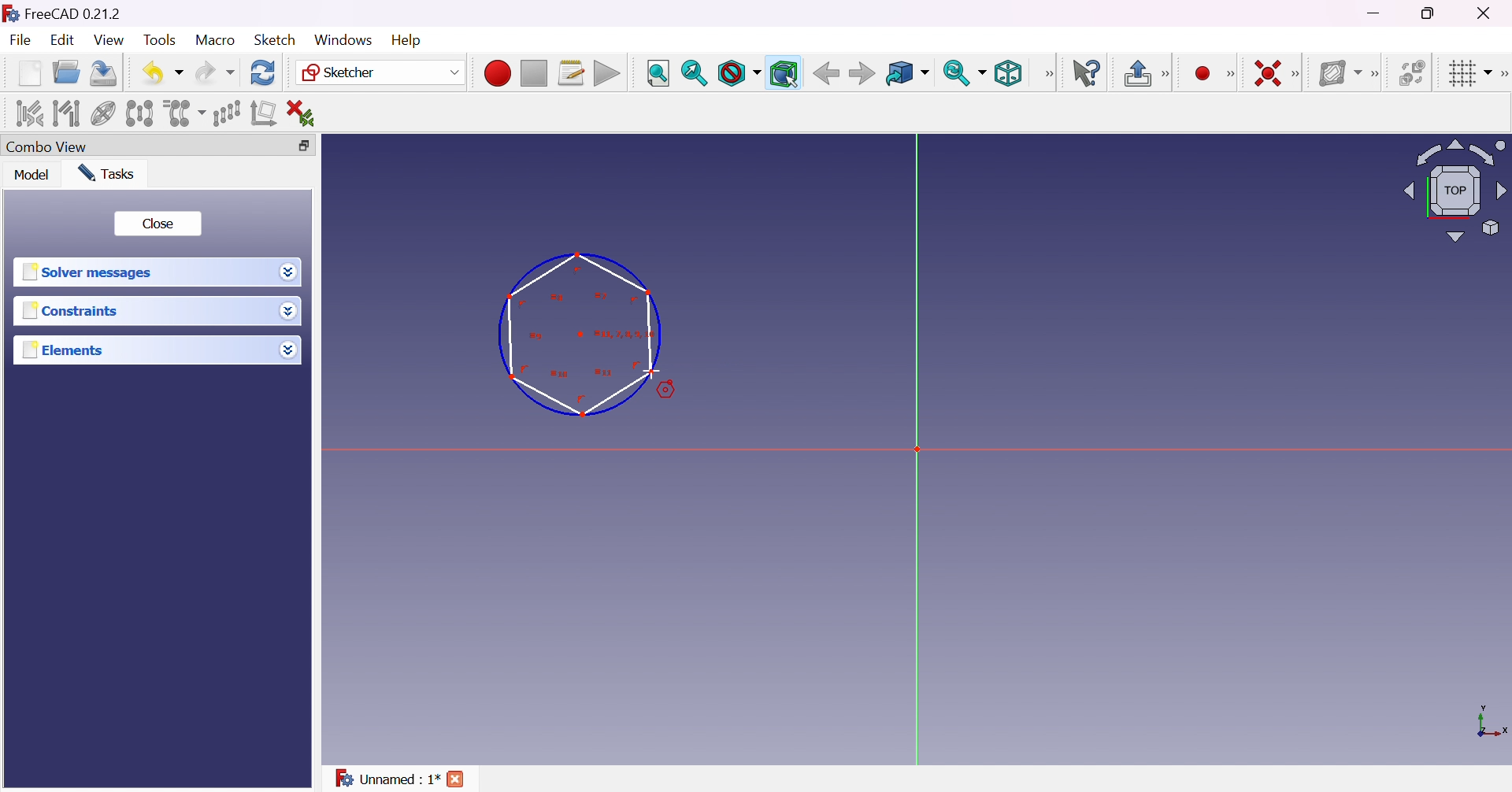 Image resolution: width=1512 pixels, height=792 pixels. I want to click on Drop down, so click(287, 346).